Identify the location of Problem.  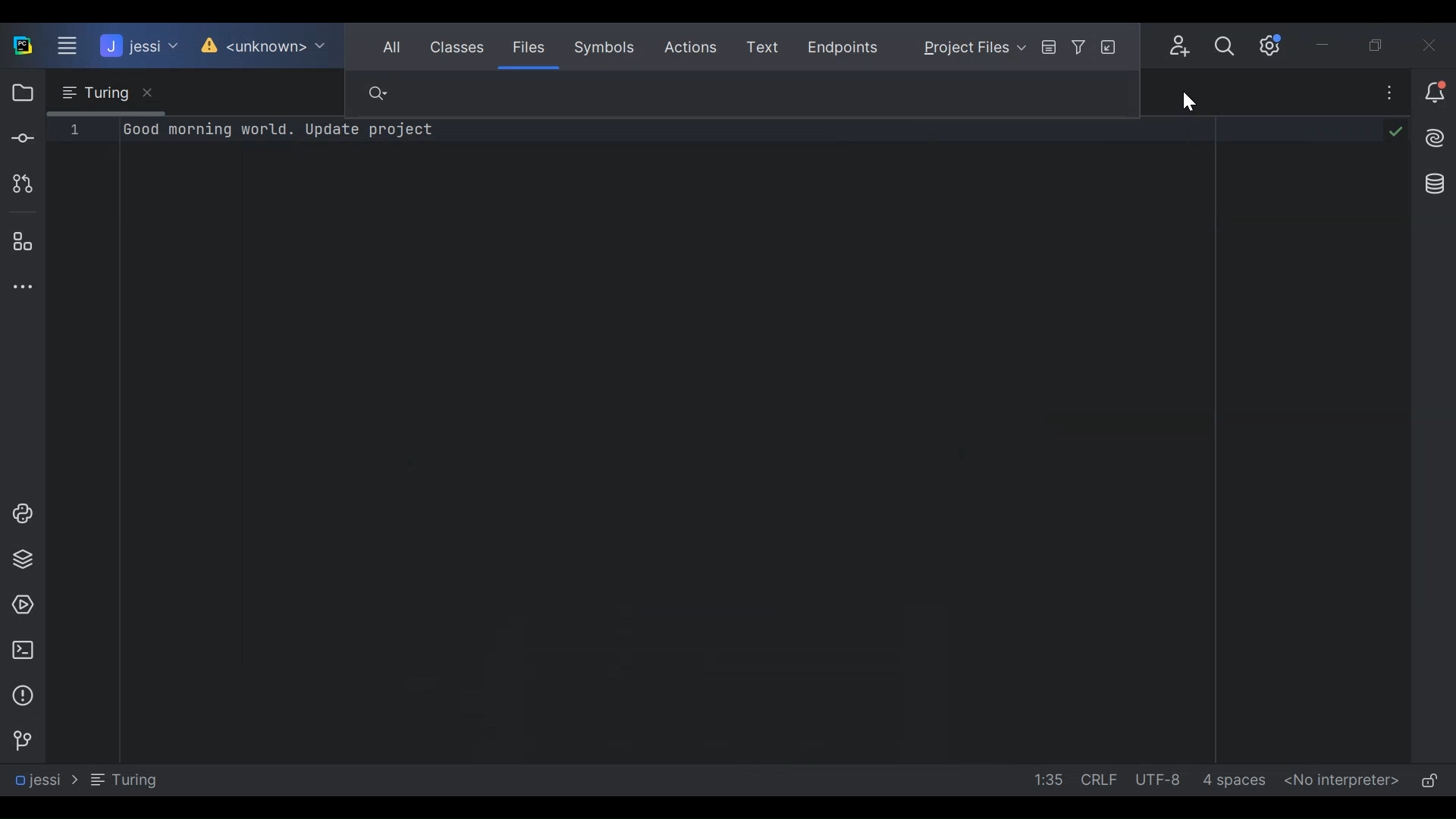
(21, 696).